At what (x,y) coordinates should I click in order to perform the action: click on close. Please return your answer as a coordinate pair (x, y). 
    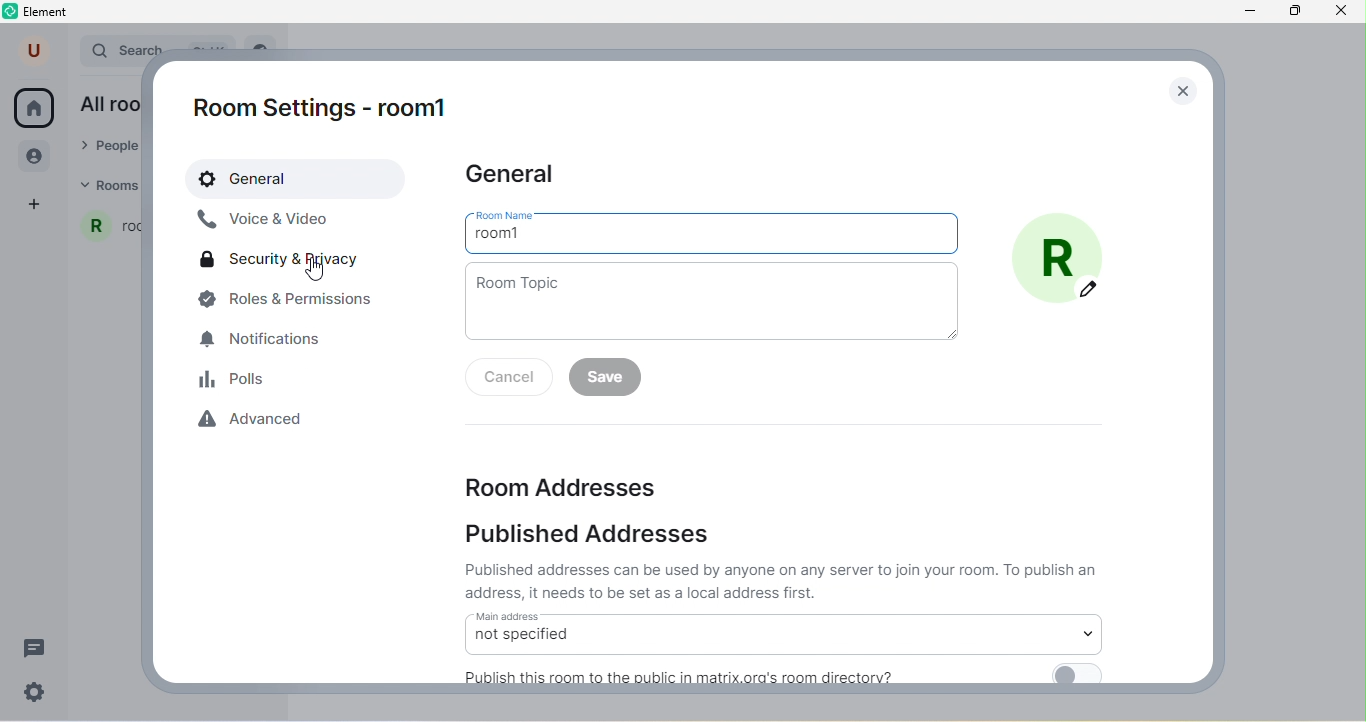
    Looking at the image, I should click on (1346, 14).